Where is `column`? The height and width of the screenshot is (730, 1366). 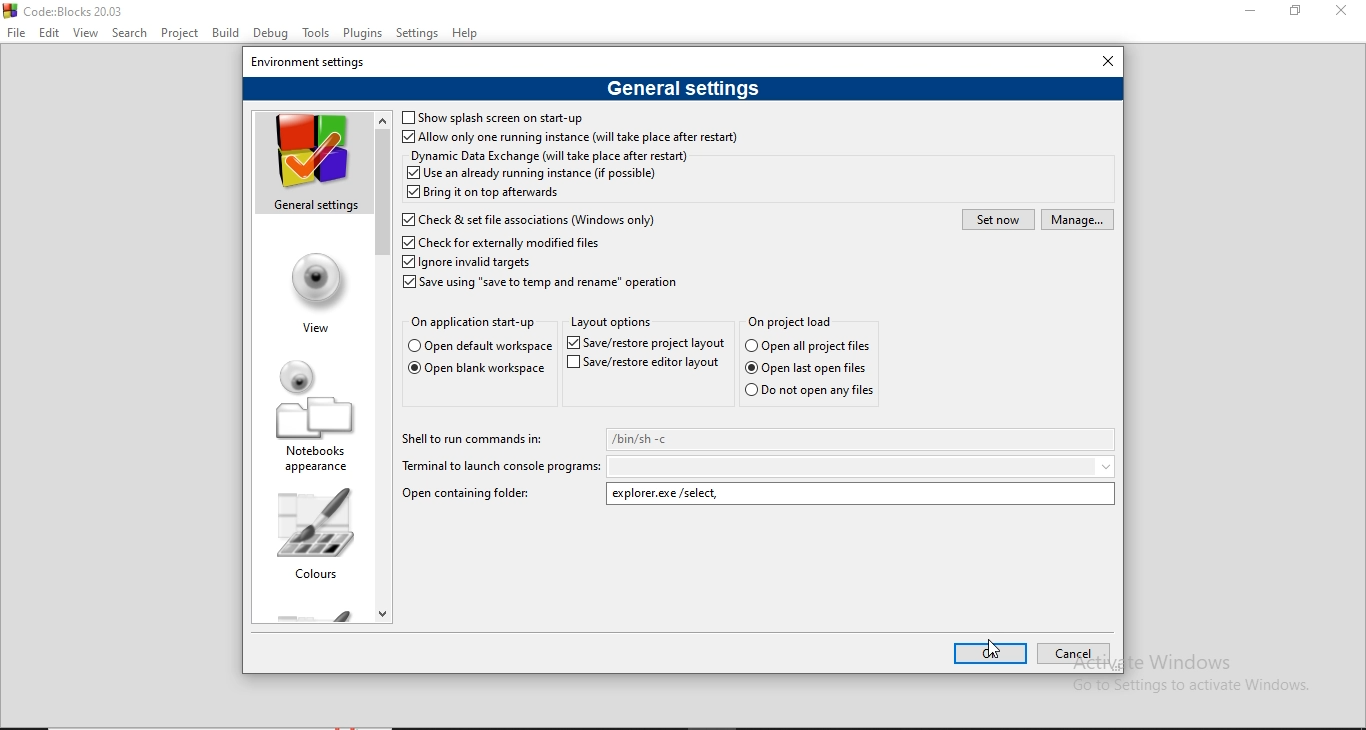
column is located at coordinates (307, 534).